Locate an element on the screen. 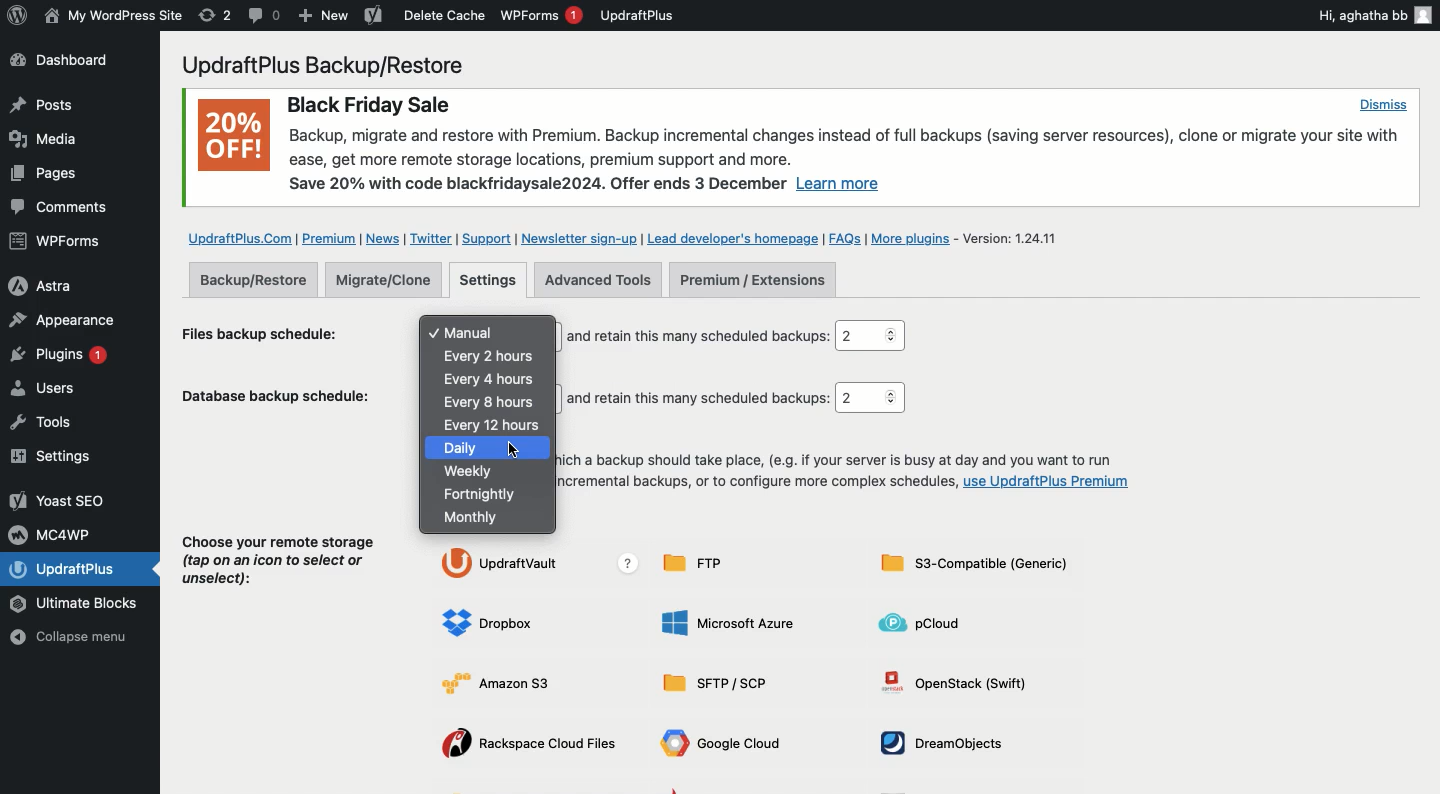 This screenshot has width=1440, height=794. WPForms 1 is located at coordinates (541, 15).